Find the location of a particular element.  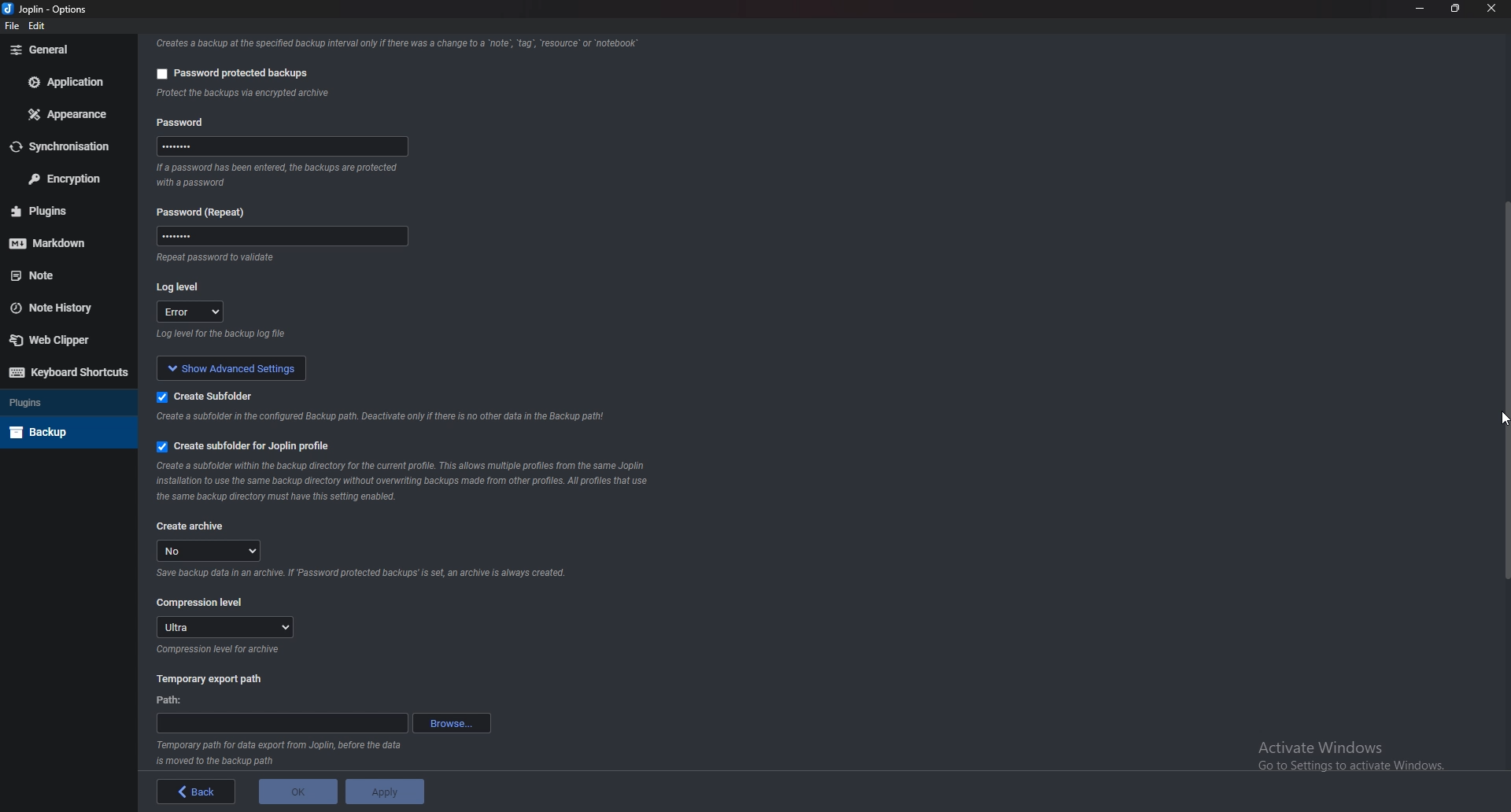

Resize is located at coordinates (1457, 8).